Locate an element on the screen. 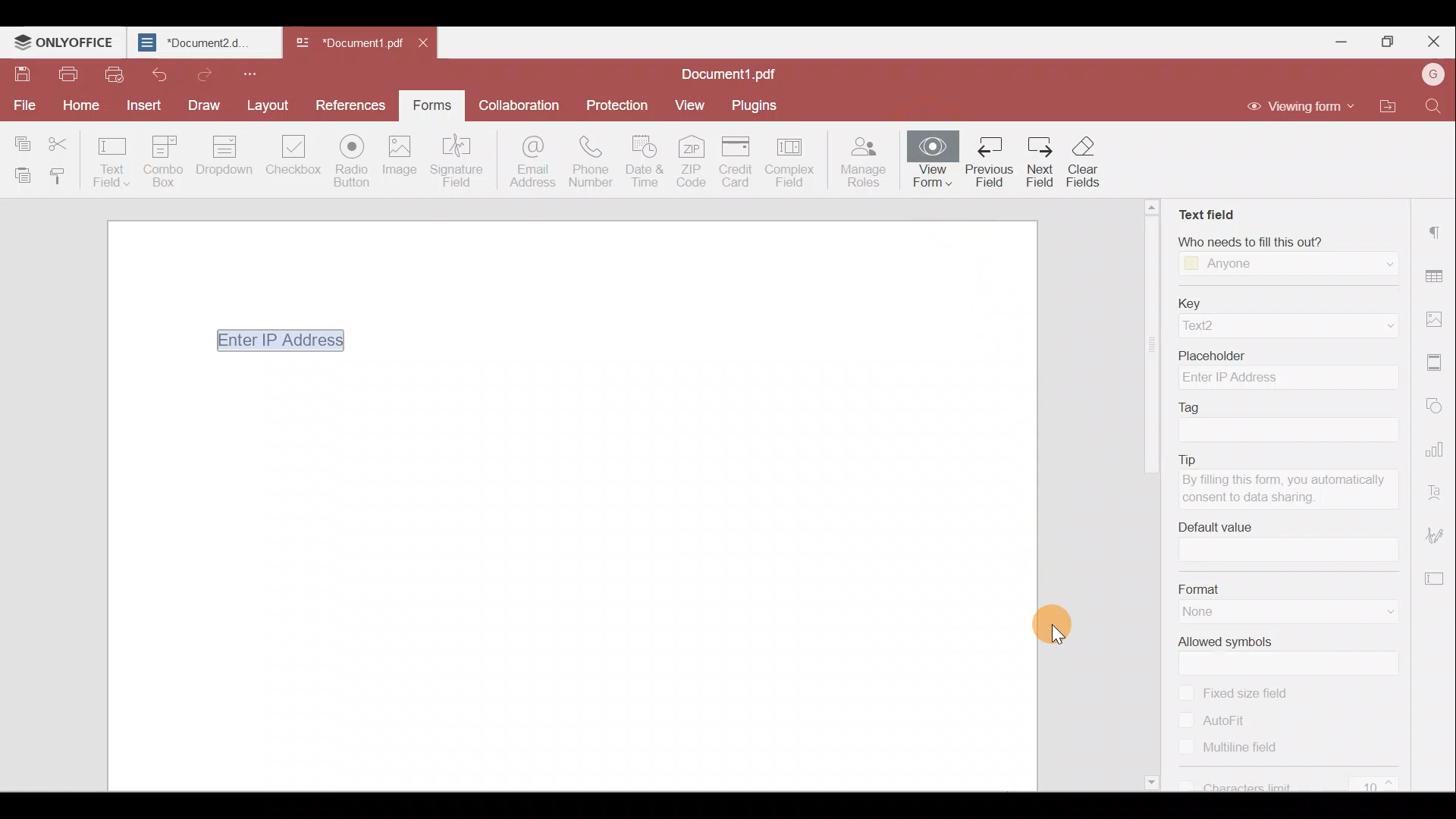 Image resolution: width=1456 pixels, height=819 pixels. Copy style is located at coordinates (59, 178).